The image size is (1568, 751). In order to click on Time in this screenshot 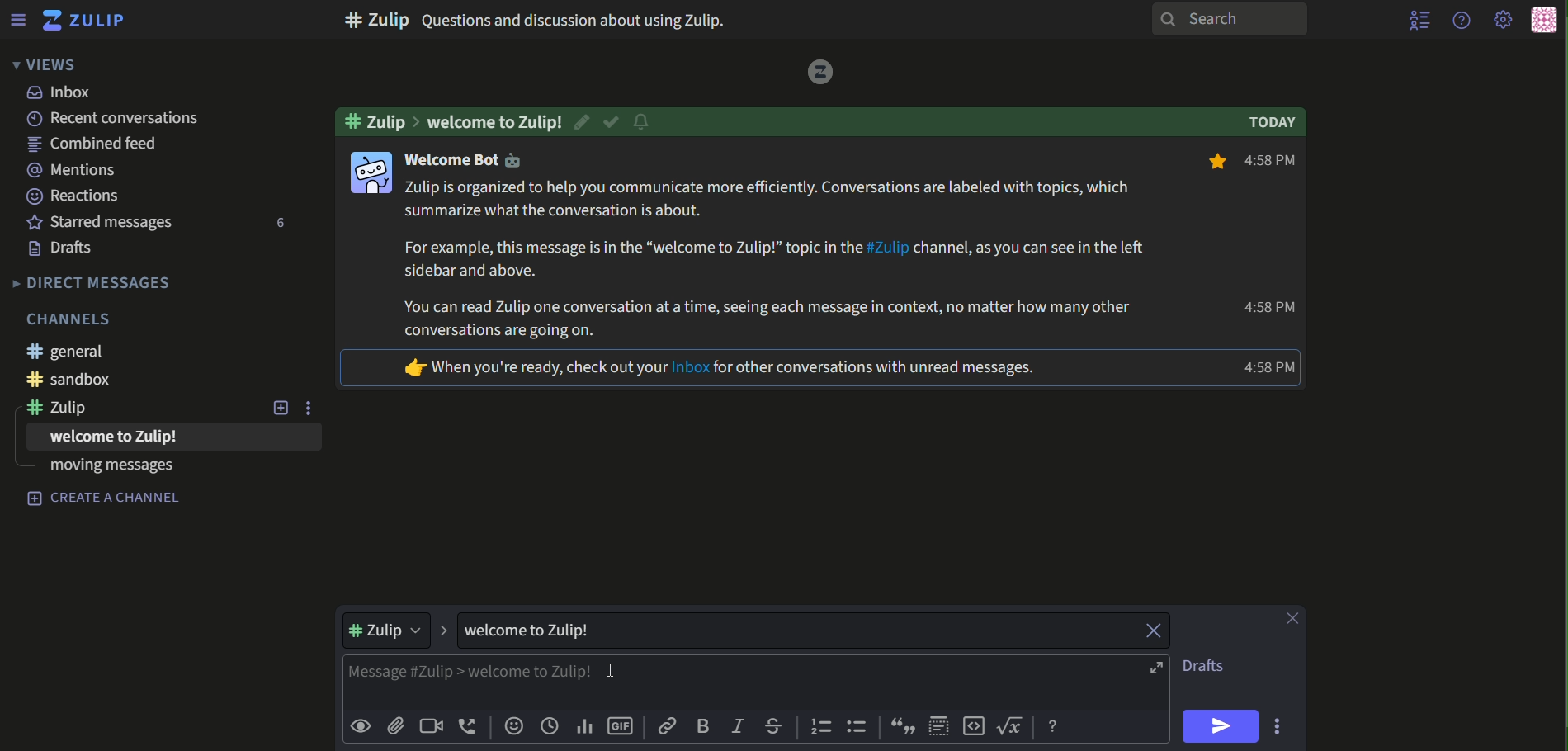, I will do `click(1272, 367)`.